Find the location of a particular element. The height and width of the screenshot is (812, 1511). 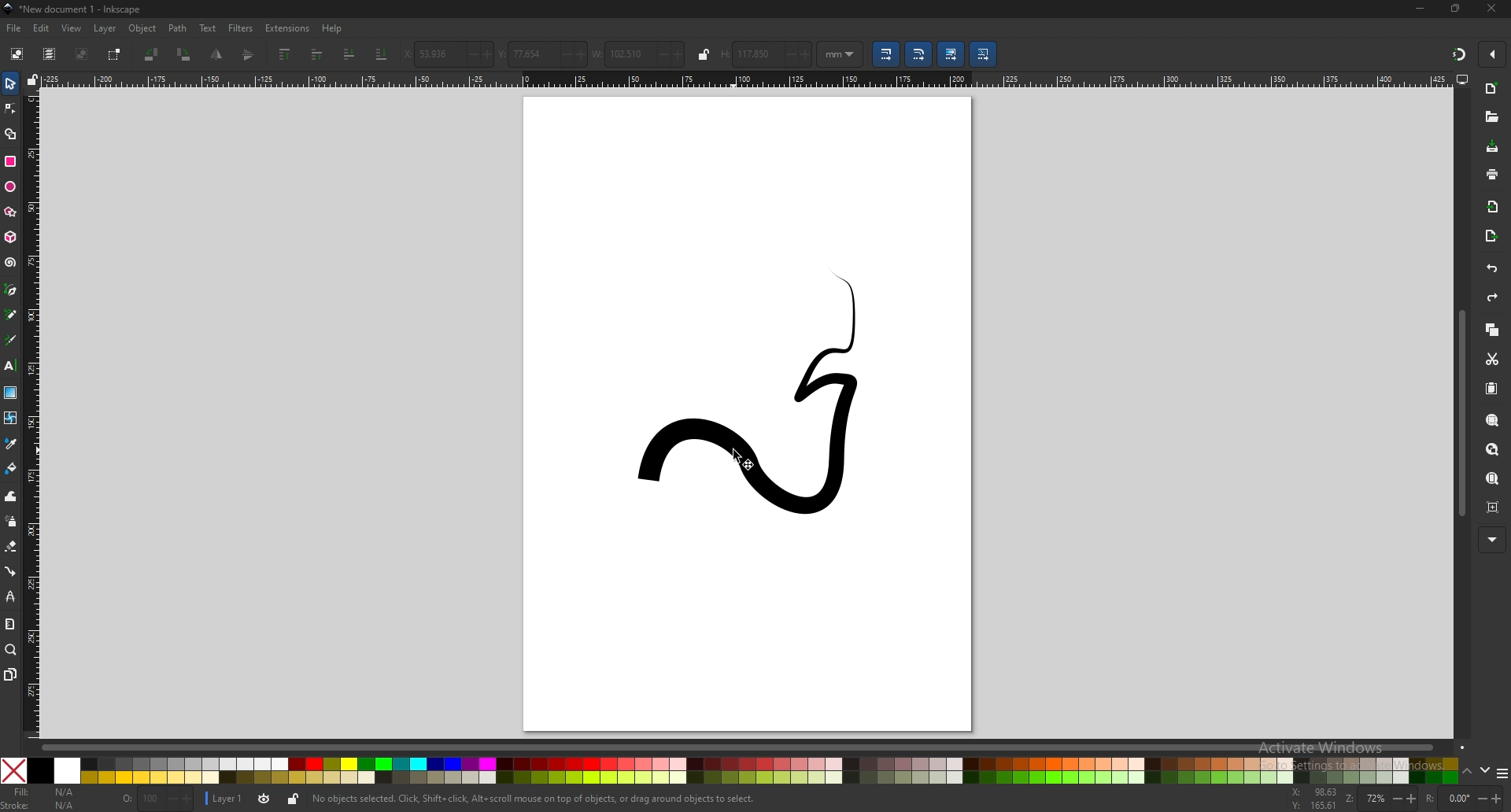

minimize is located at coordinates (1420, 8).